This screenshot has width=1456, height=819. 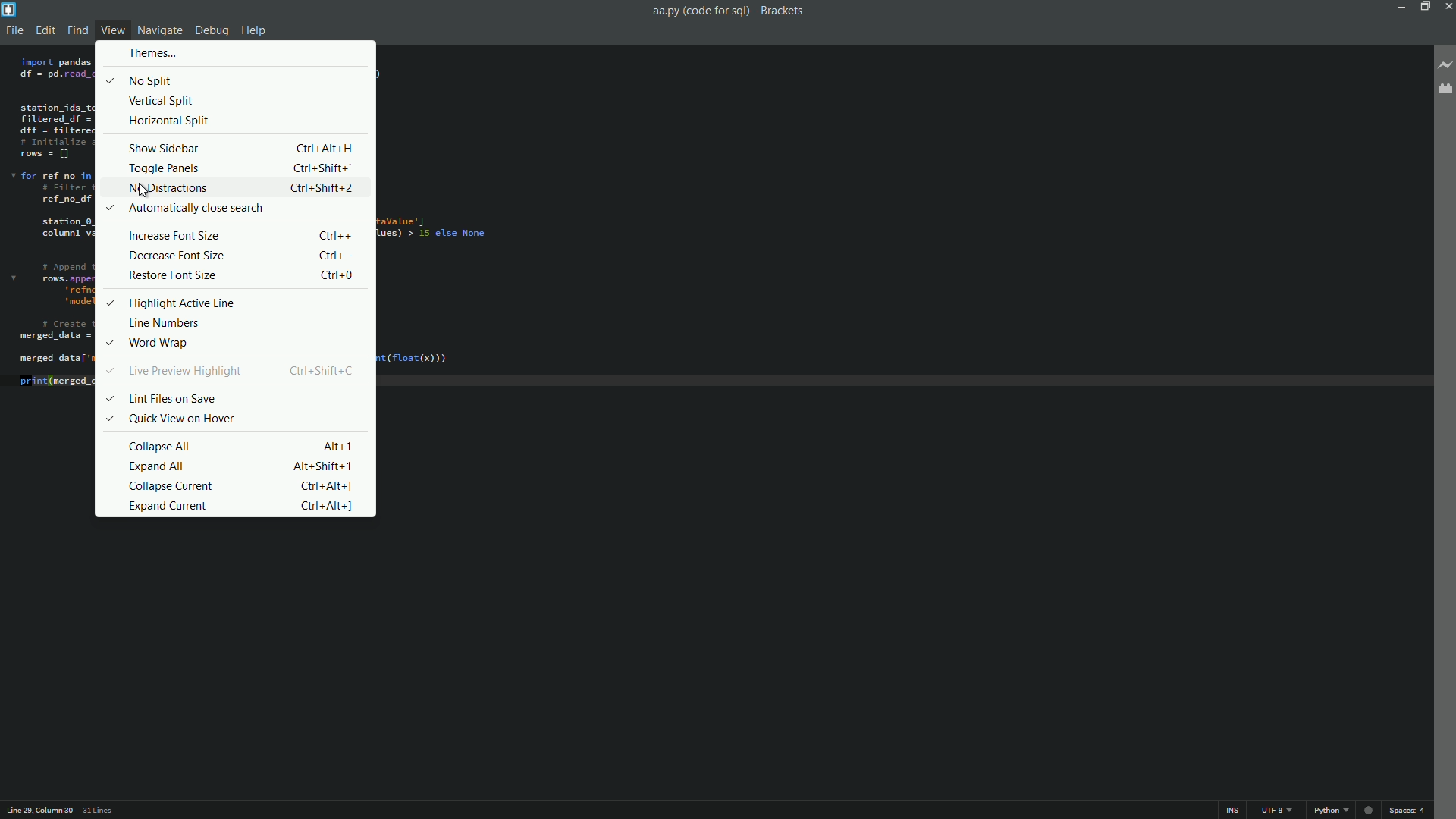 I want to click on help menu, so click(x=253, y=31).